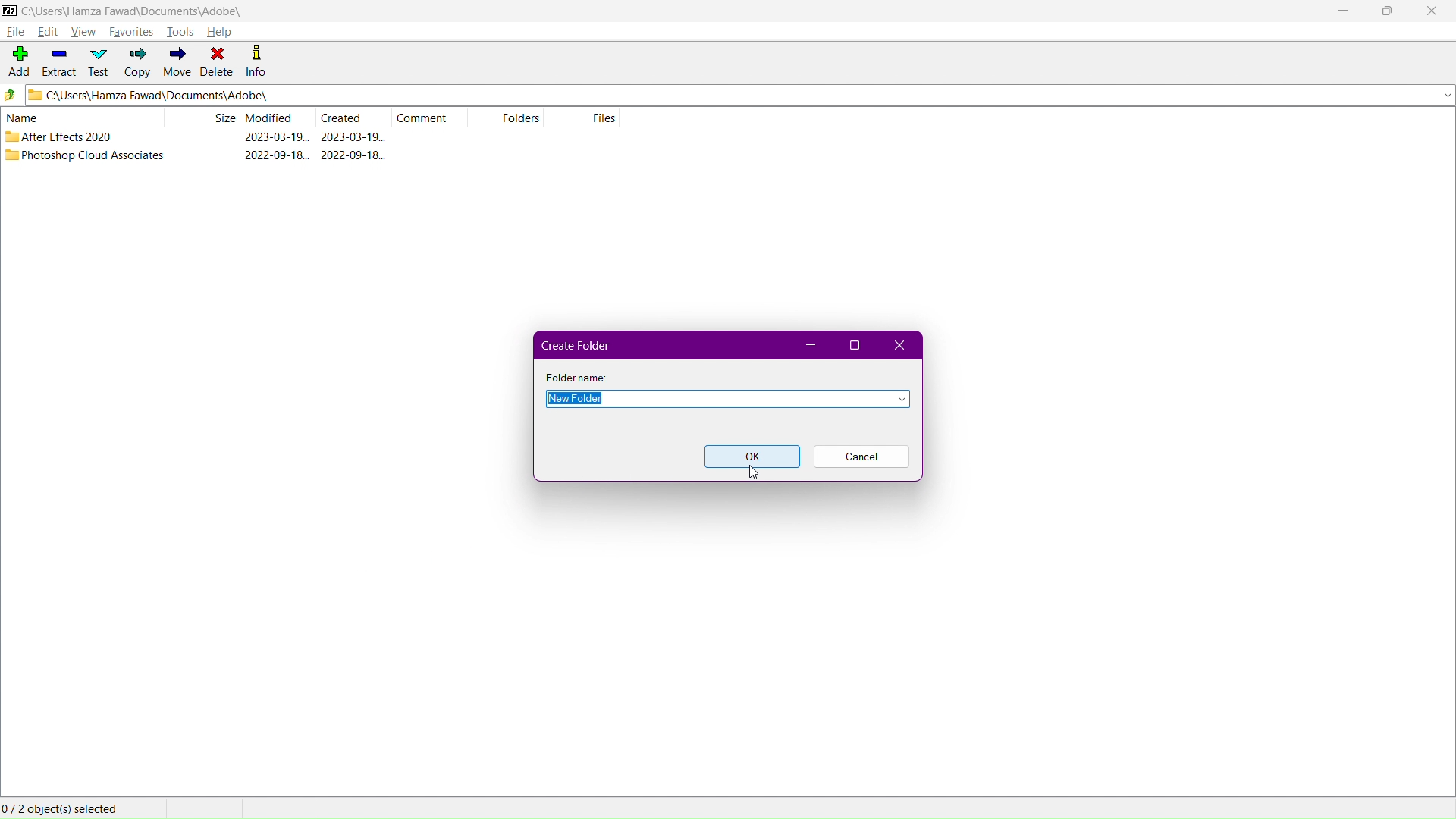 Image resolution: width=1456 pixels, height=819 pixels. What do you see at coordinates (353, 136) in the screenshot?
I see `created date & time` at bounding box center [353, 136].